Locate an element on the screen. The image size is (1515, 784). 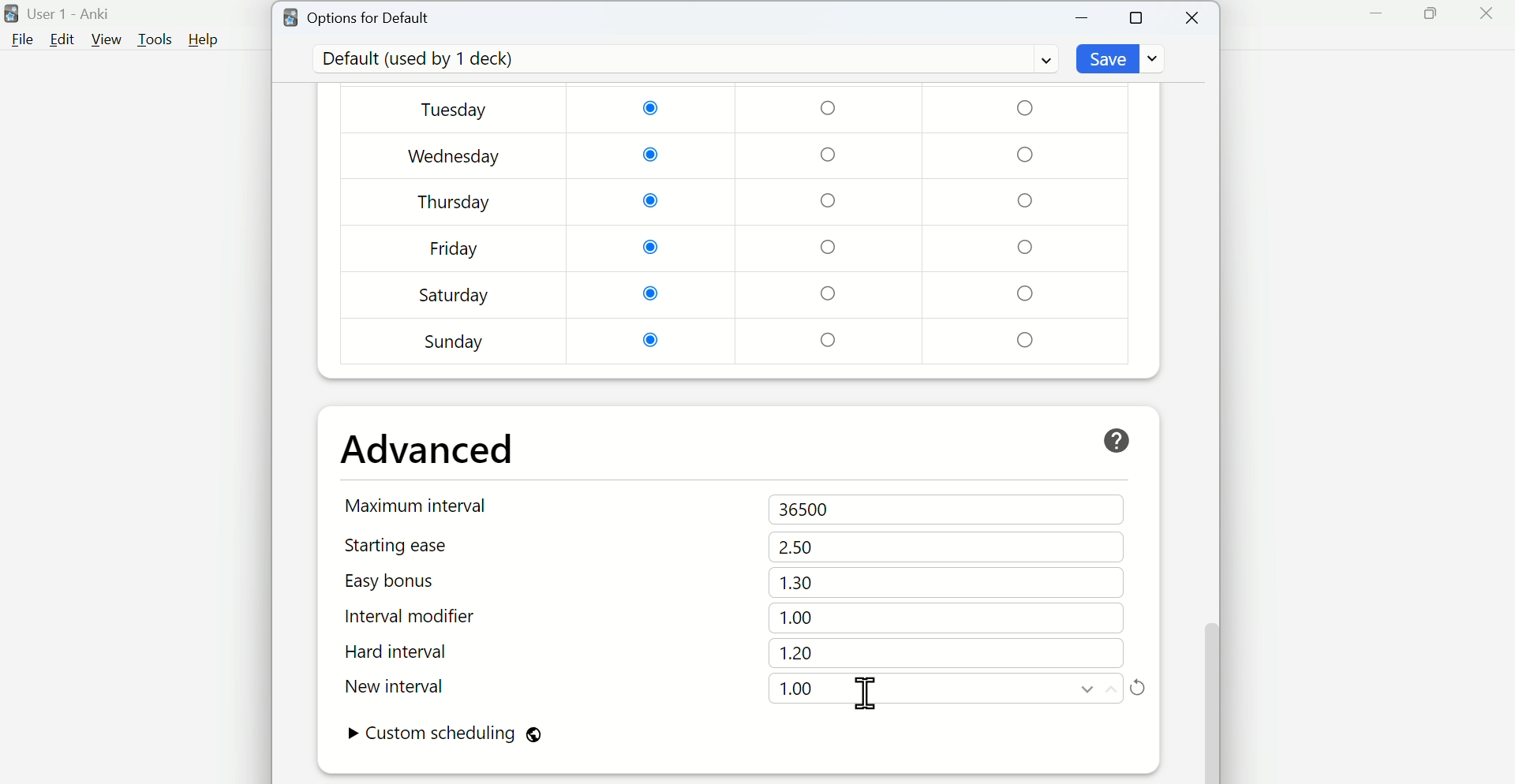
Minimize is located at coordinates (1083, 18).